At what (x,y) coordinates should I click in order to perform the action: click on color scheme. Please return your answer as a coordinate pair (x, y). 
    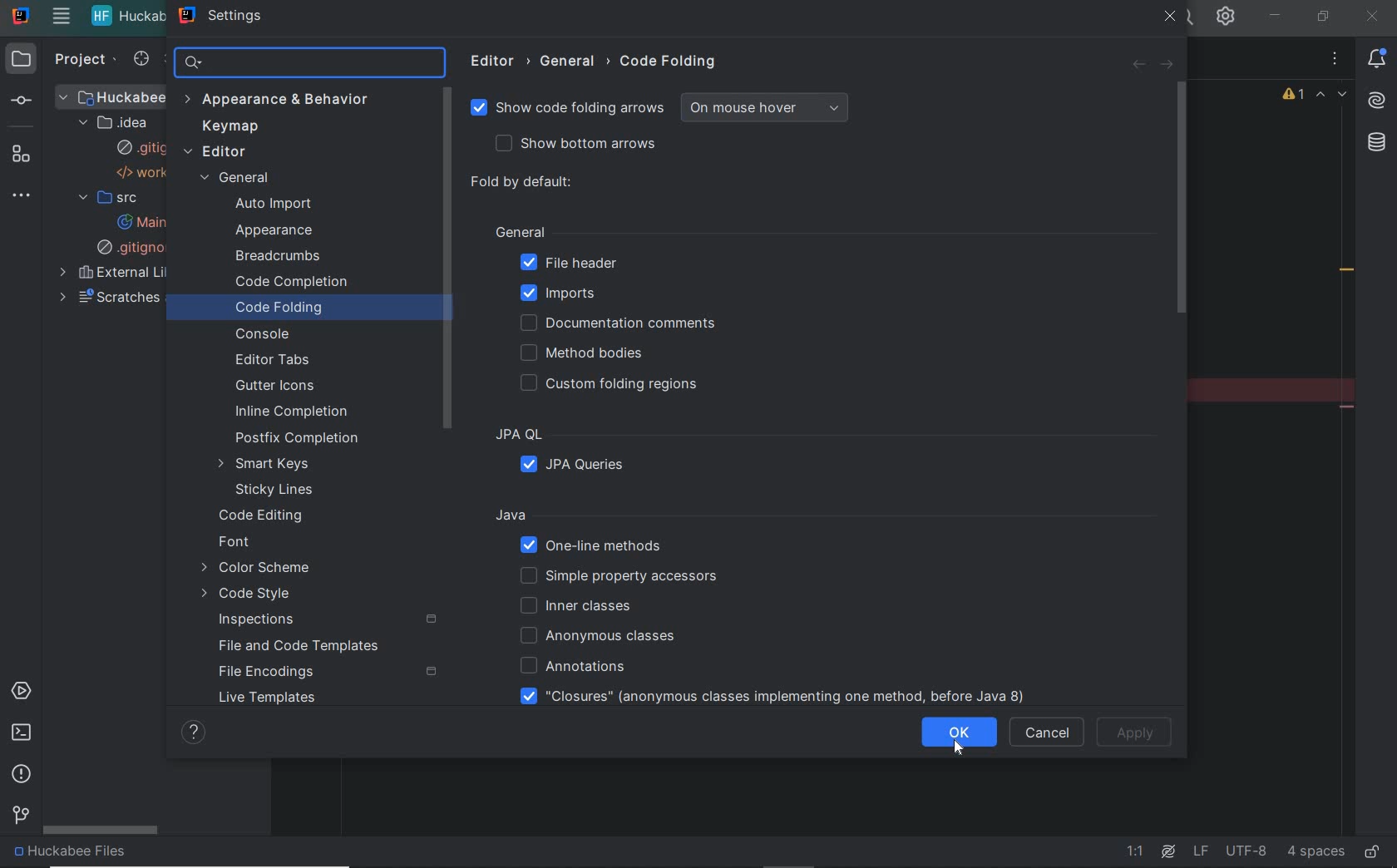
    Looking at the image, I should click on (259, 569).